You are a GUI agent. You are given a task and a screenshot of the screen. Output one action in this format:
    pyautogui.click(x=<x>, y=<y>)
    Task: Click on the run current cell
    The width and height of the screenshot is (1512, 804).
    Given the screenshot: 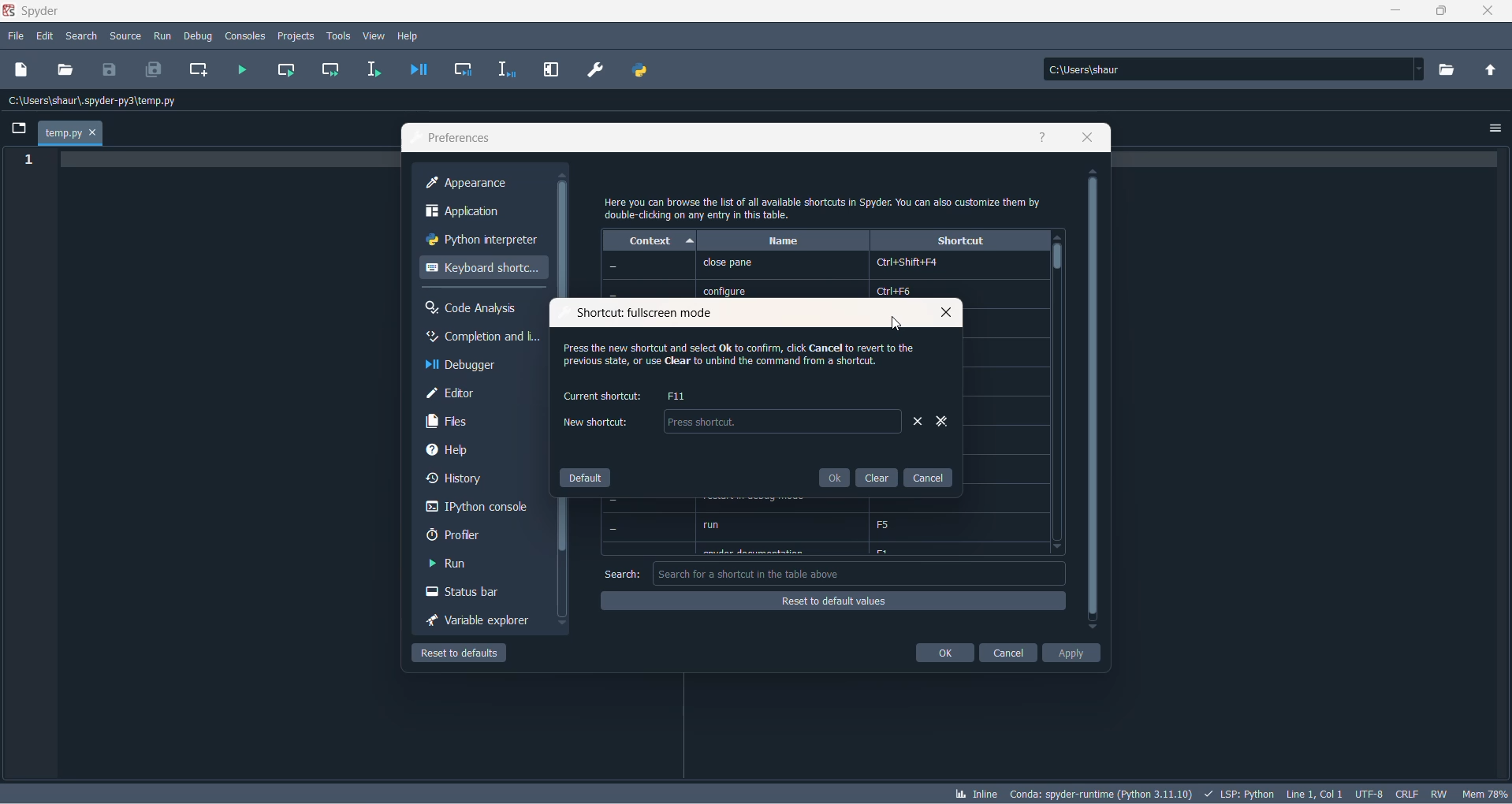 What is the action you would take?
    pyautogui.click(x=326, y=73)
    